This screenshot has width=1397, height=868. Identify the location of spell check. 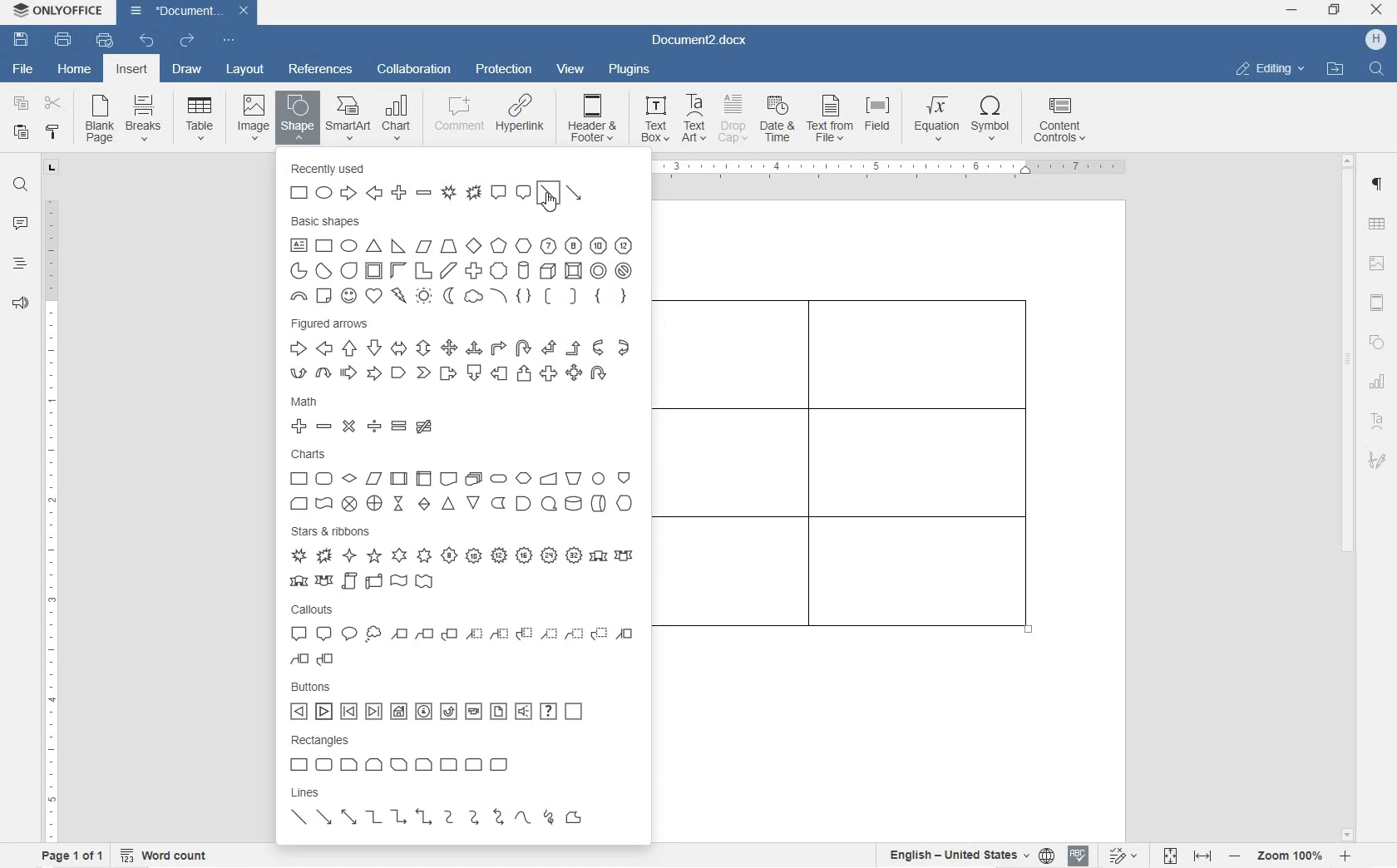
(1079, 857).